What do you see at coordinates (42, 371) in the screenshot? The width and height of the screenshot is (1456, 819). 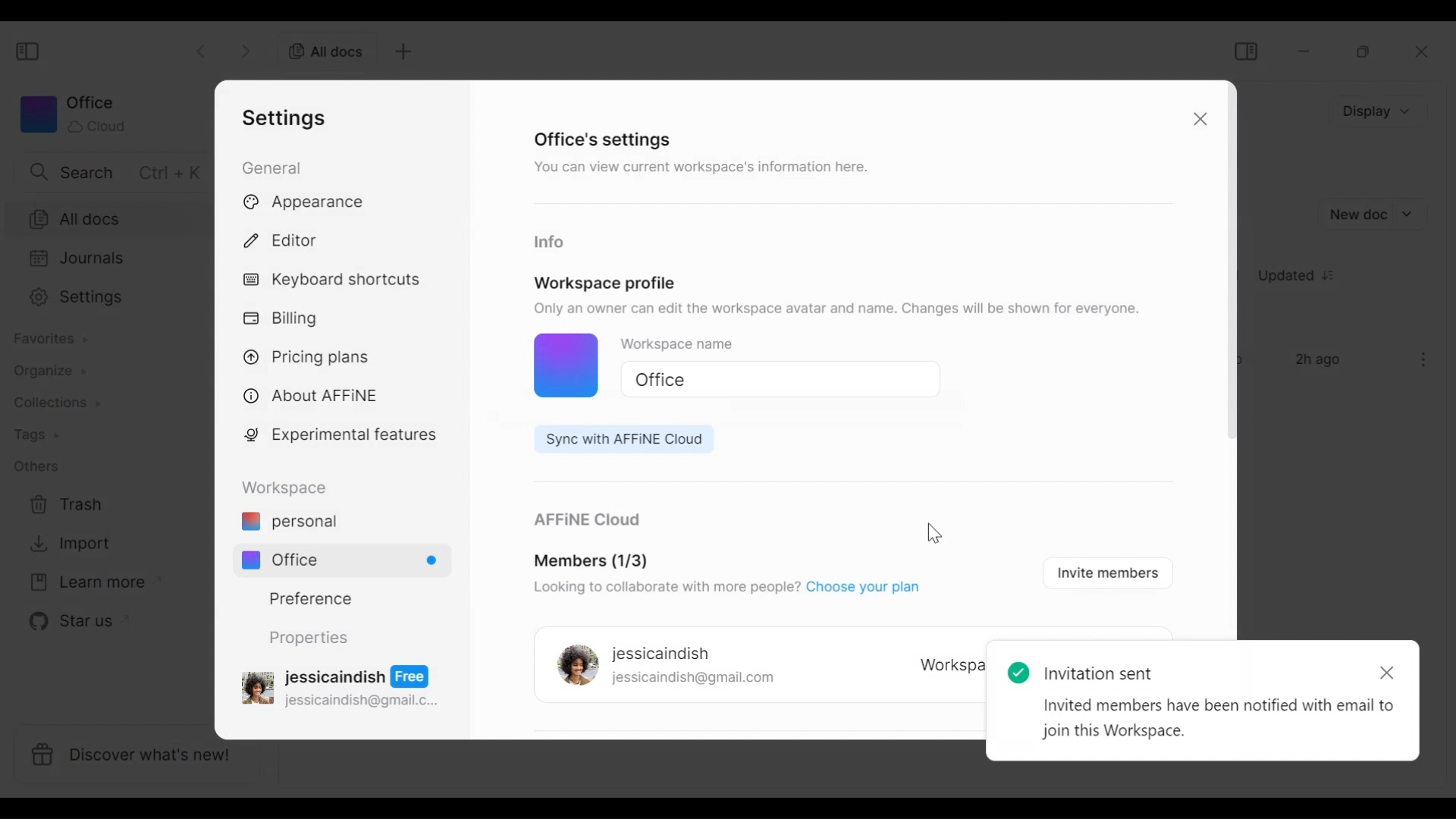 I see `Organize` at bounding box center [42, 371].